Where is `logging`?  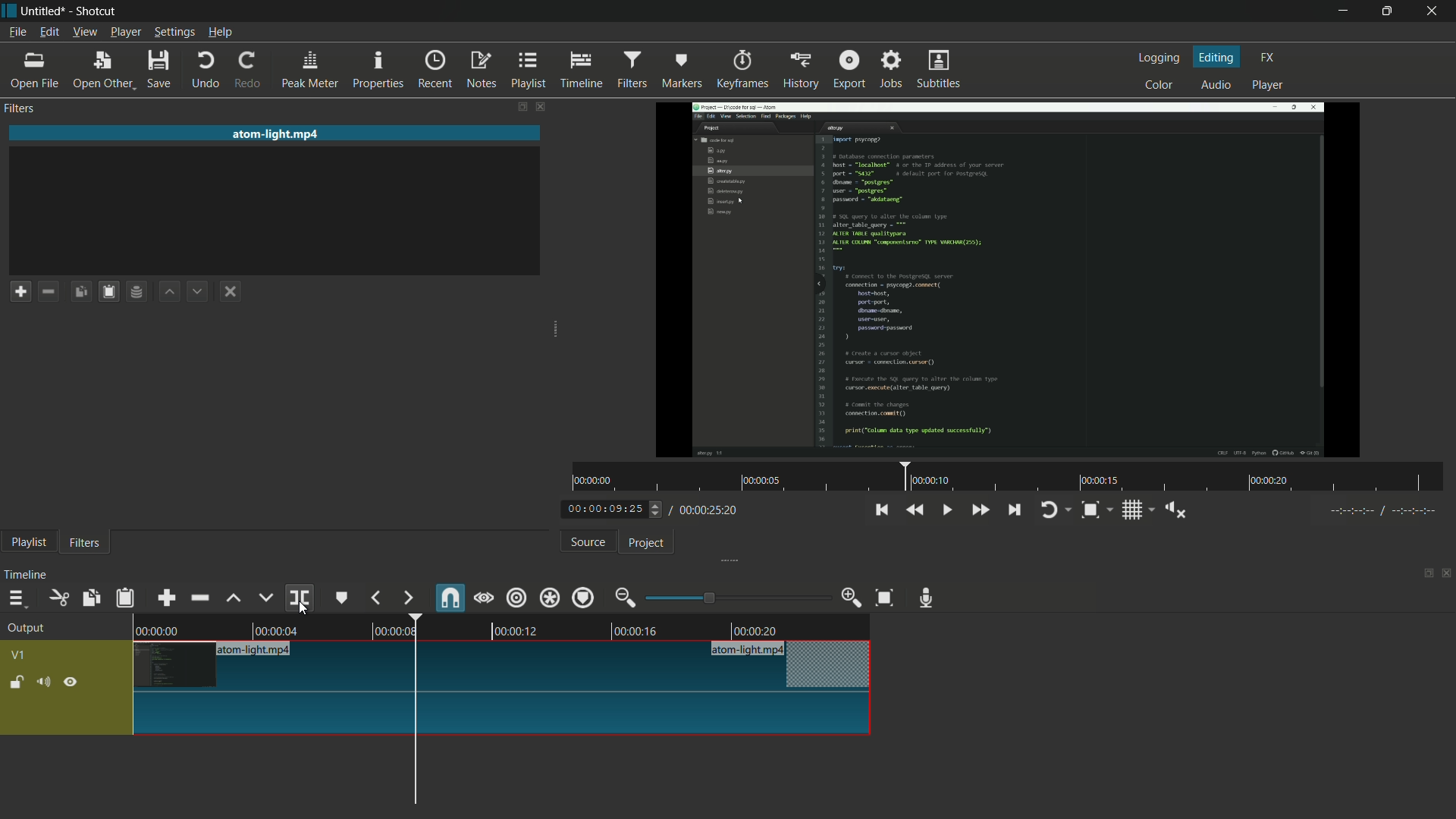 logging is located at coordinates (1162, 58).